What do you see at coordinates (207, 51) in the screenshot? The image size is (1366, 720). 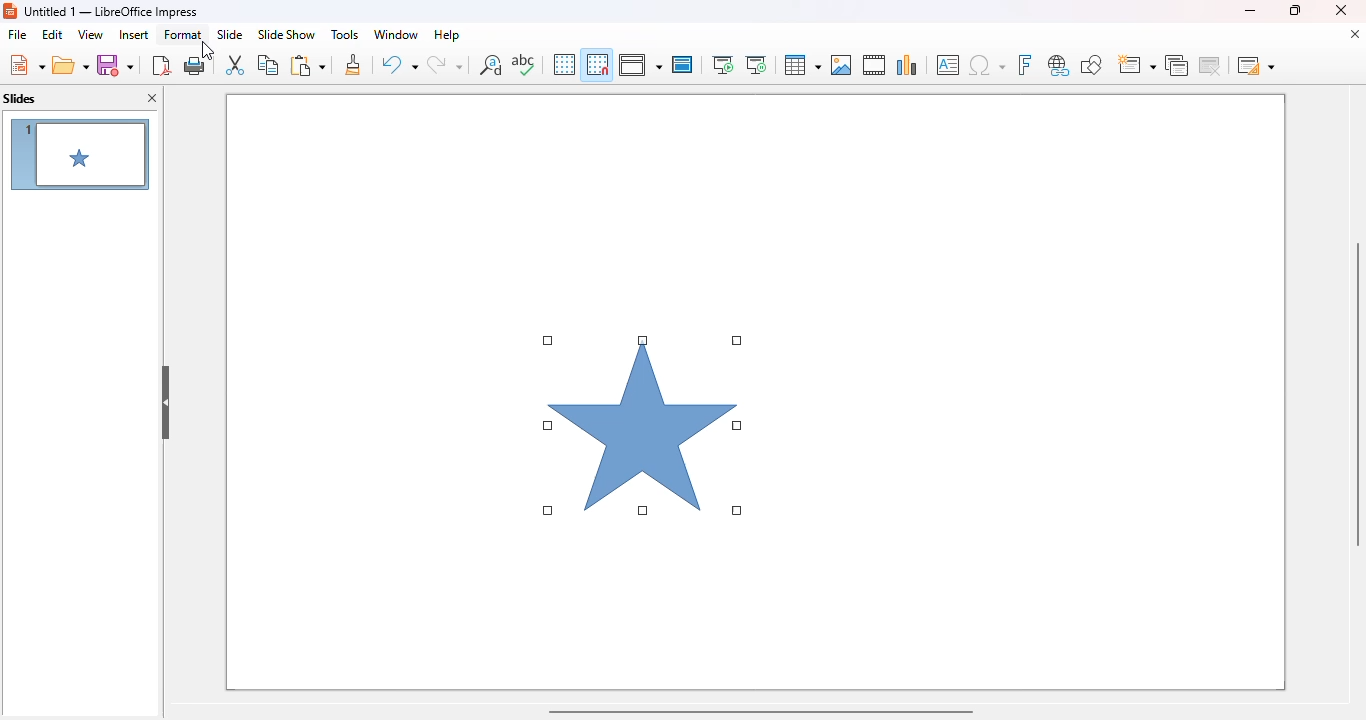 I see `cursor` at bounding box center [207, 51].